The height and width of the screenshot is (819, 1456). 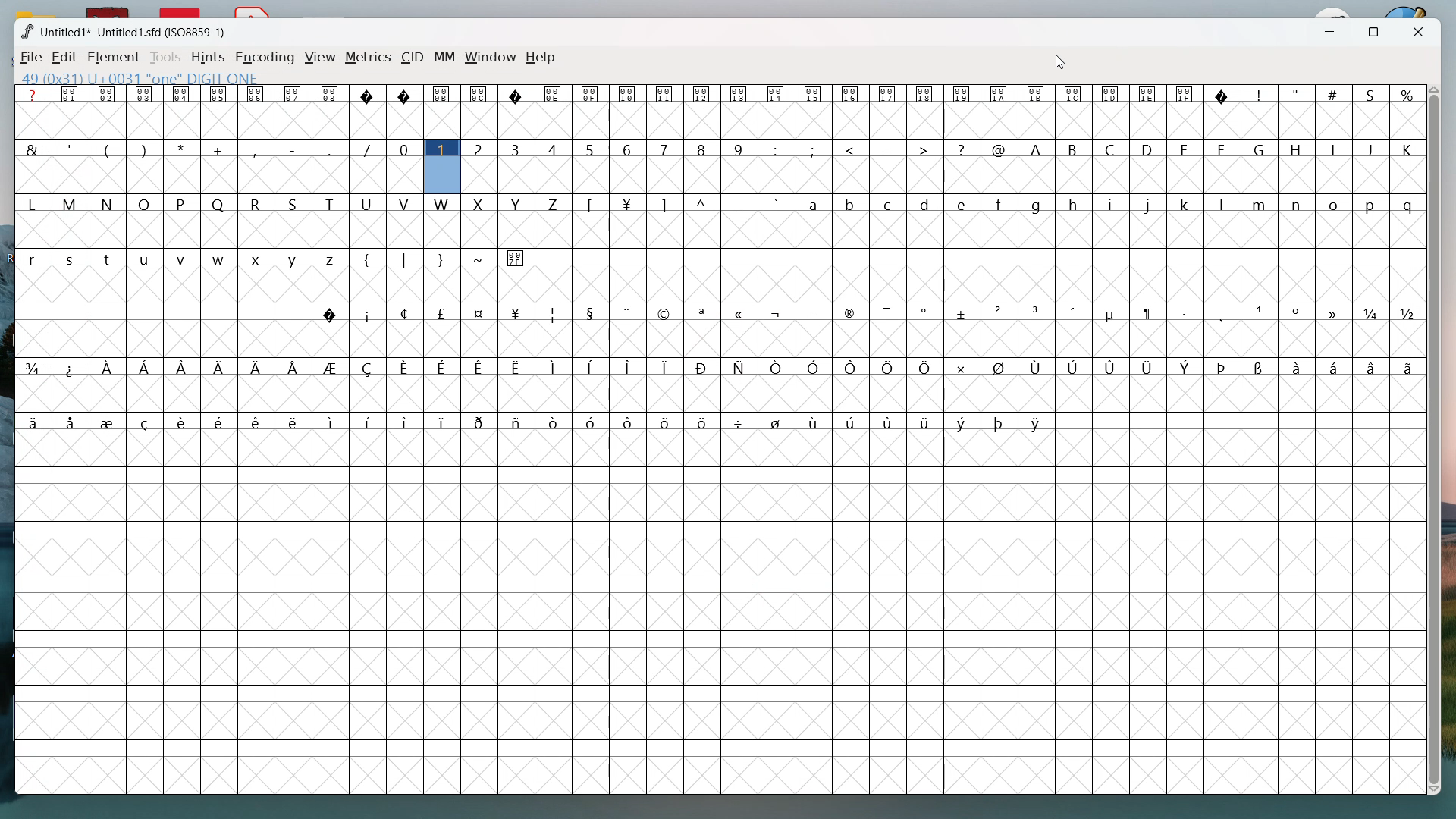 What do you see at coordinates (258, 422) in the screenshot?
I see `symbol` at bounding box center [258, 422].